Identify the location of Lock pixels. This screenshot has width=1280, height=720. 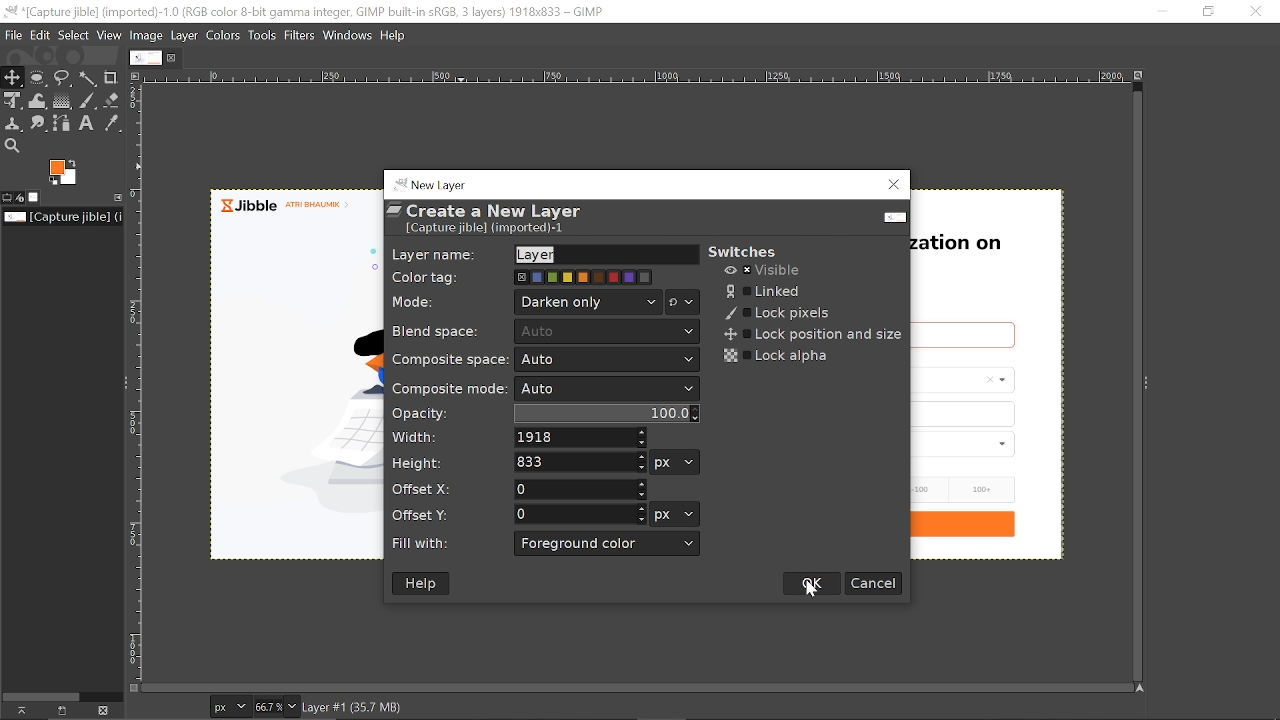
(777, 313).